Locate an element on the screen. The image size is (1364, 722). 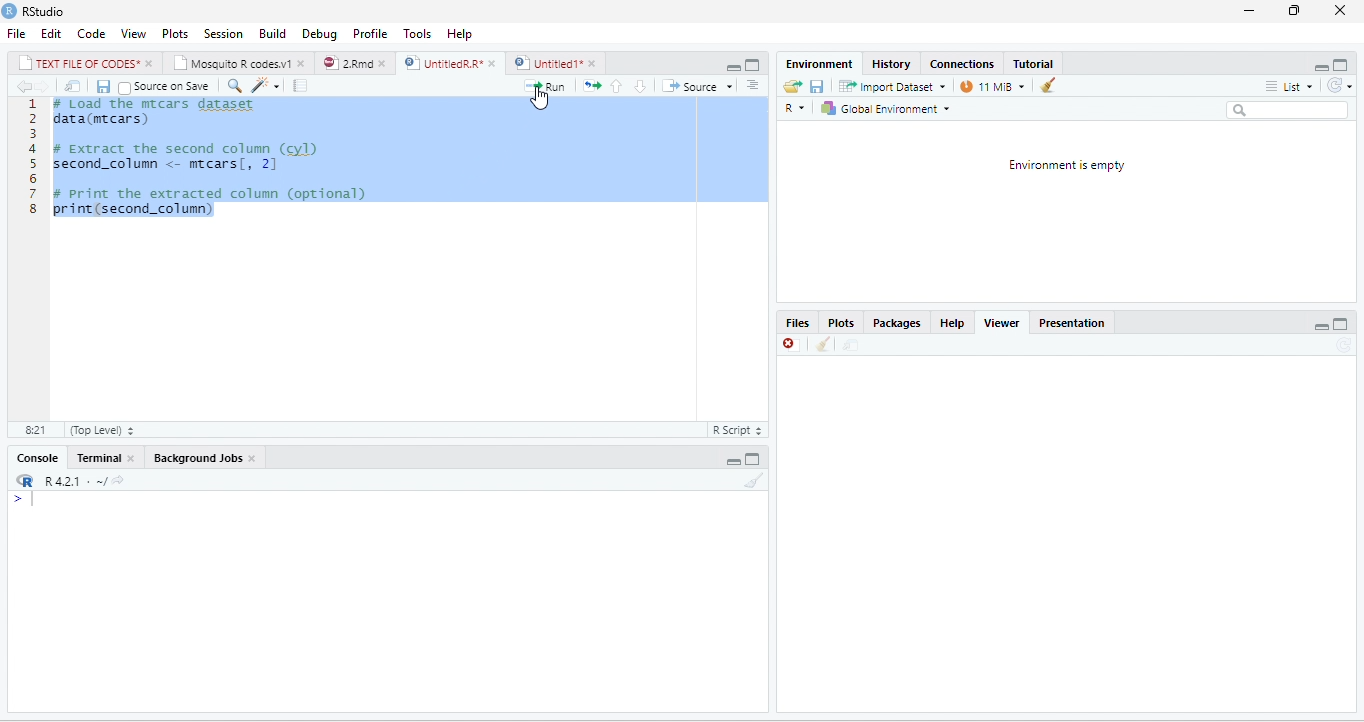
| Global Environment = is located at coordinates (885, 108).